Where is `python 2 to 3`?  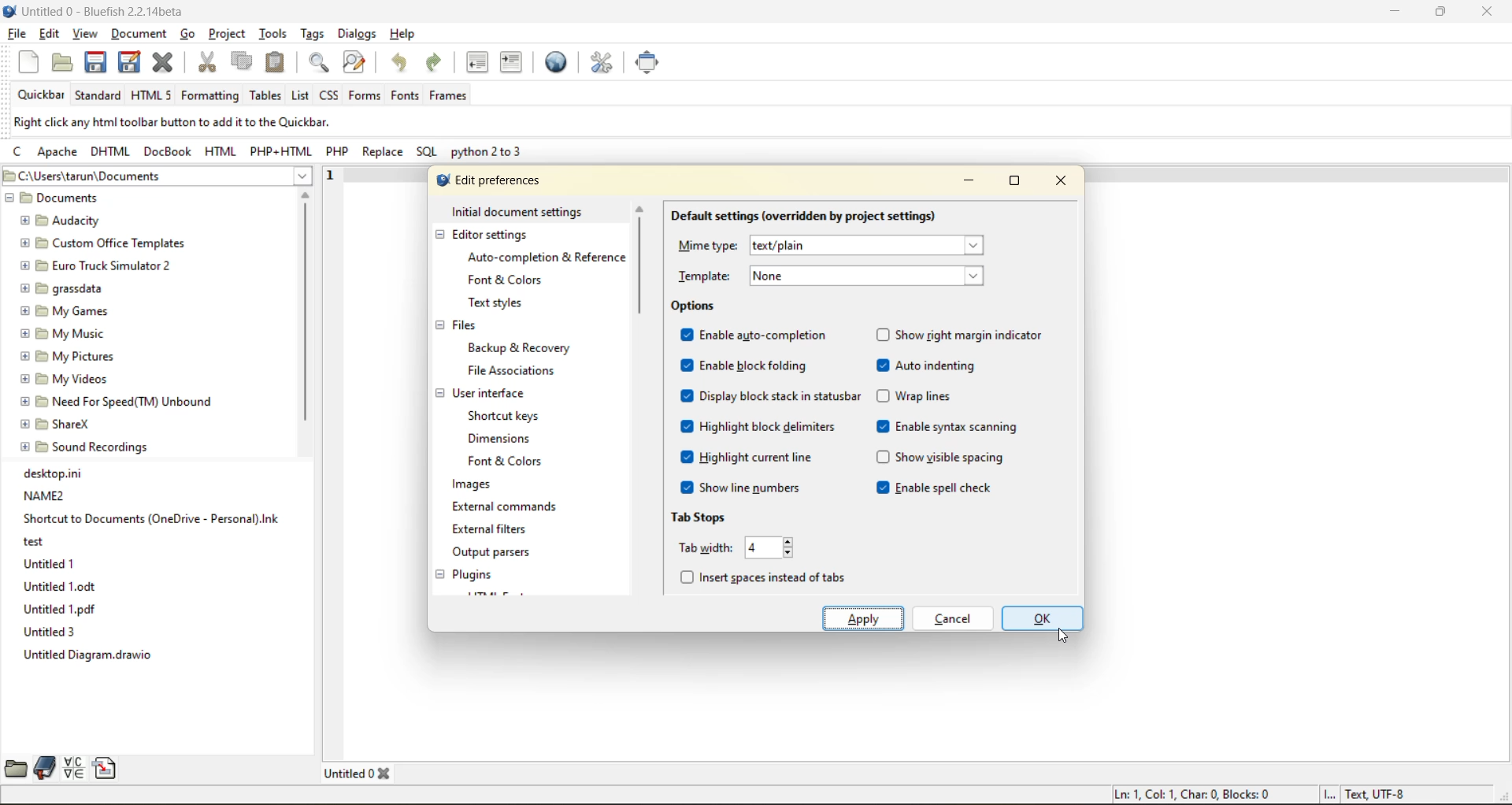 python 2 to 3 is located at coordinates (489, 154).